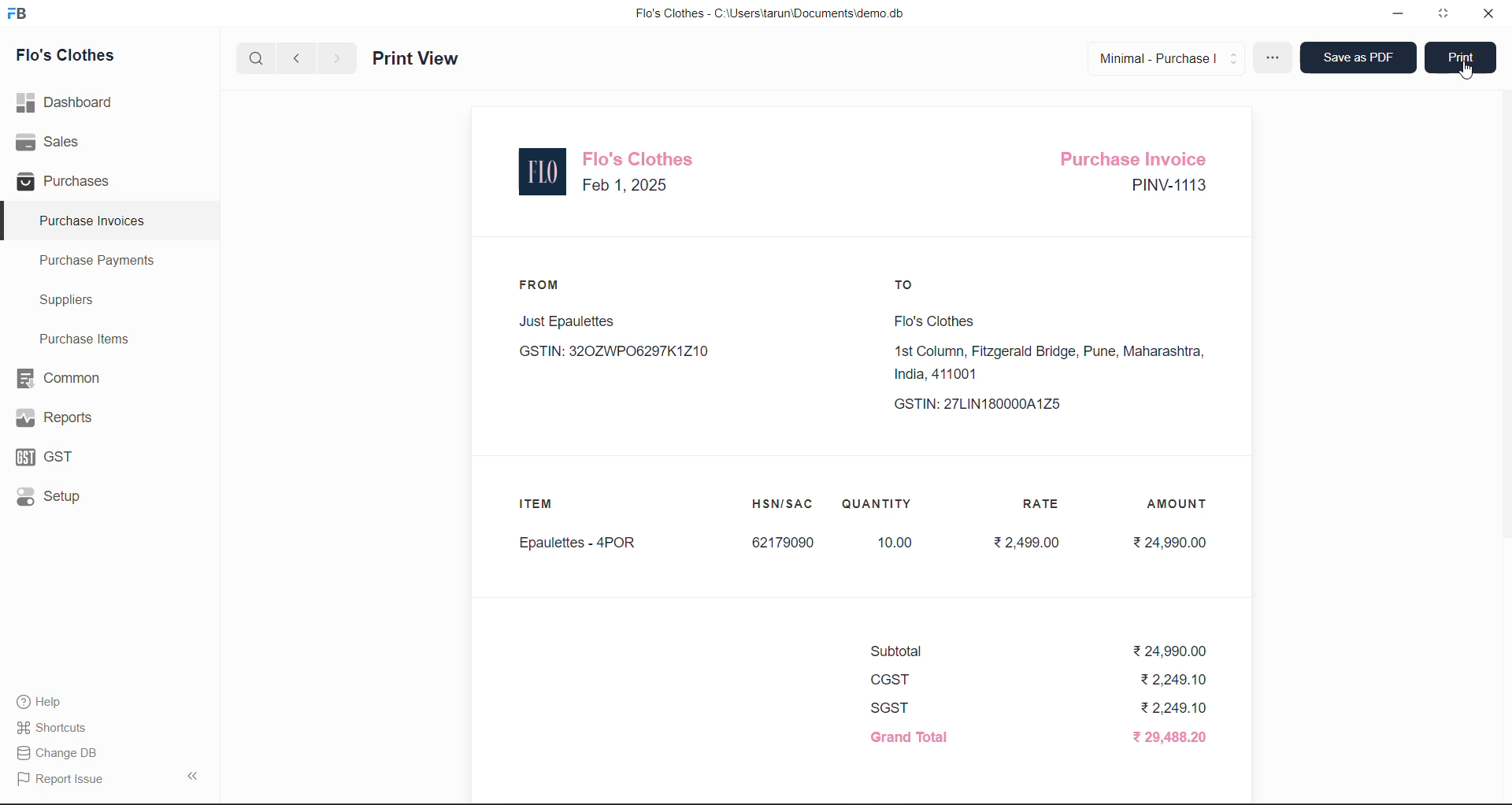  Describe the element at coordinates (65, 777) in the screenshot. I see `Report Issue` at that location.